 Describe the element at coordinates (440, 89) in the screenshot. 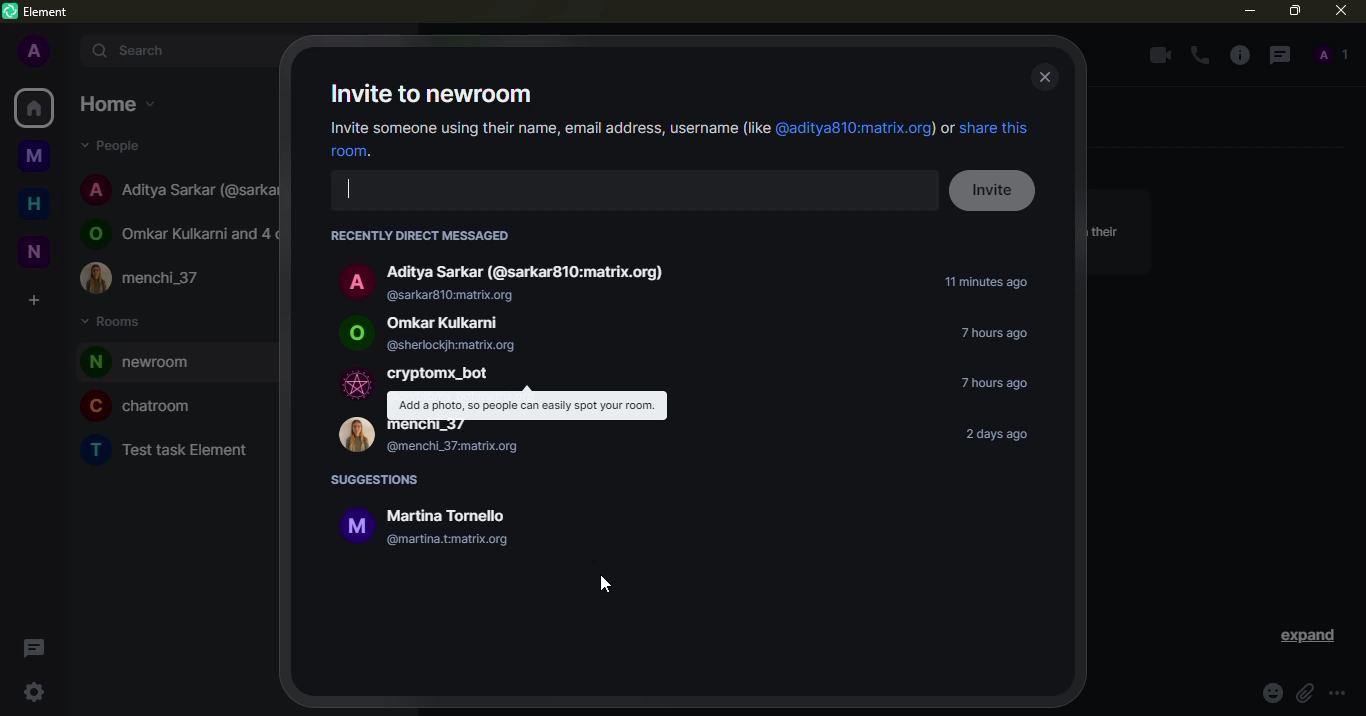

I see `invite to newroom` at that location.